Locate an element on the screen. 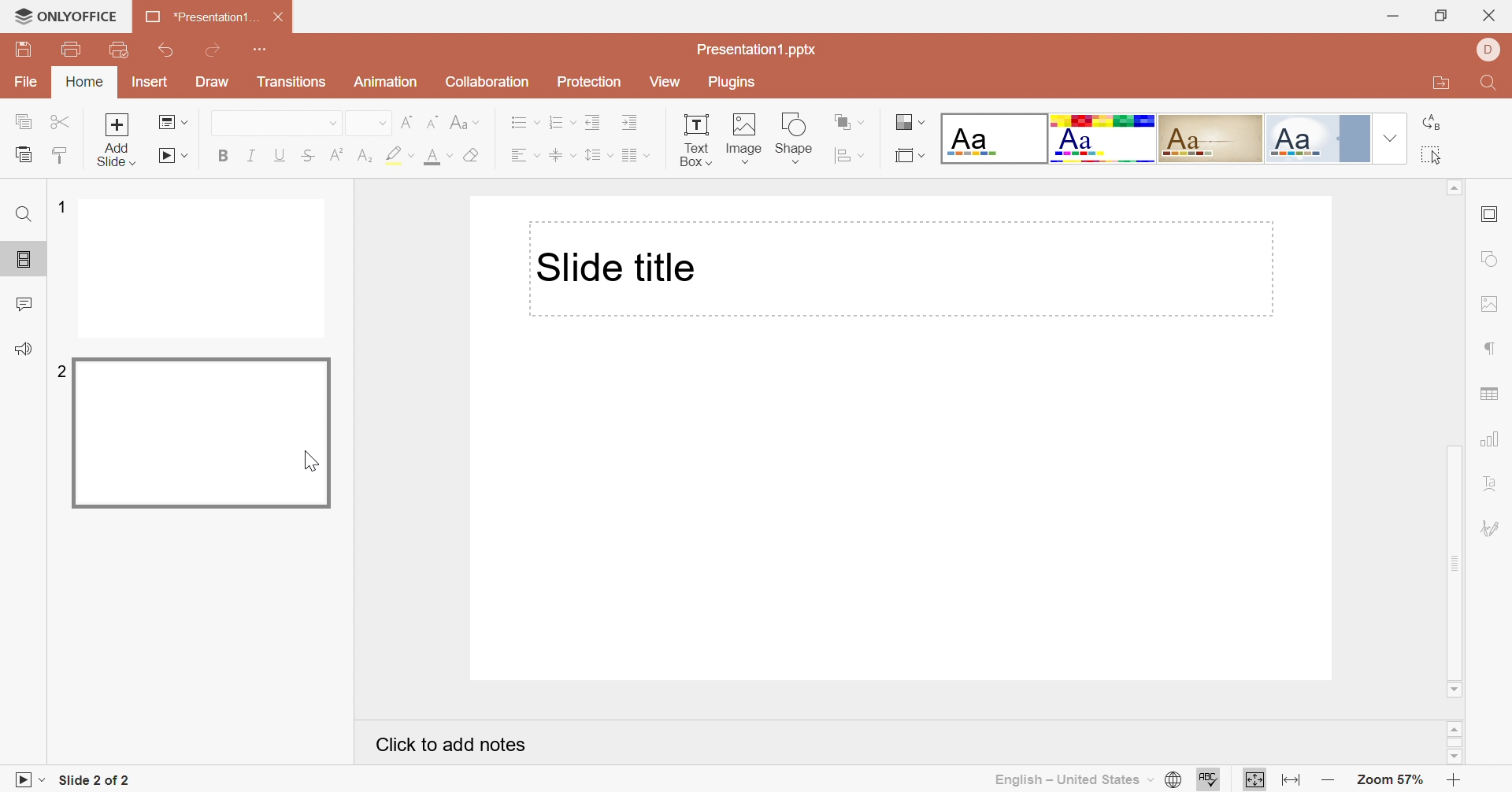 The width and height of the screenshot is (1512, 792). Paste is located at coordinates (23, 156).